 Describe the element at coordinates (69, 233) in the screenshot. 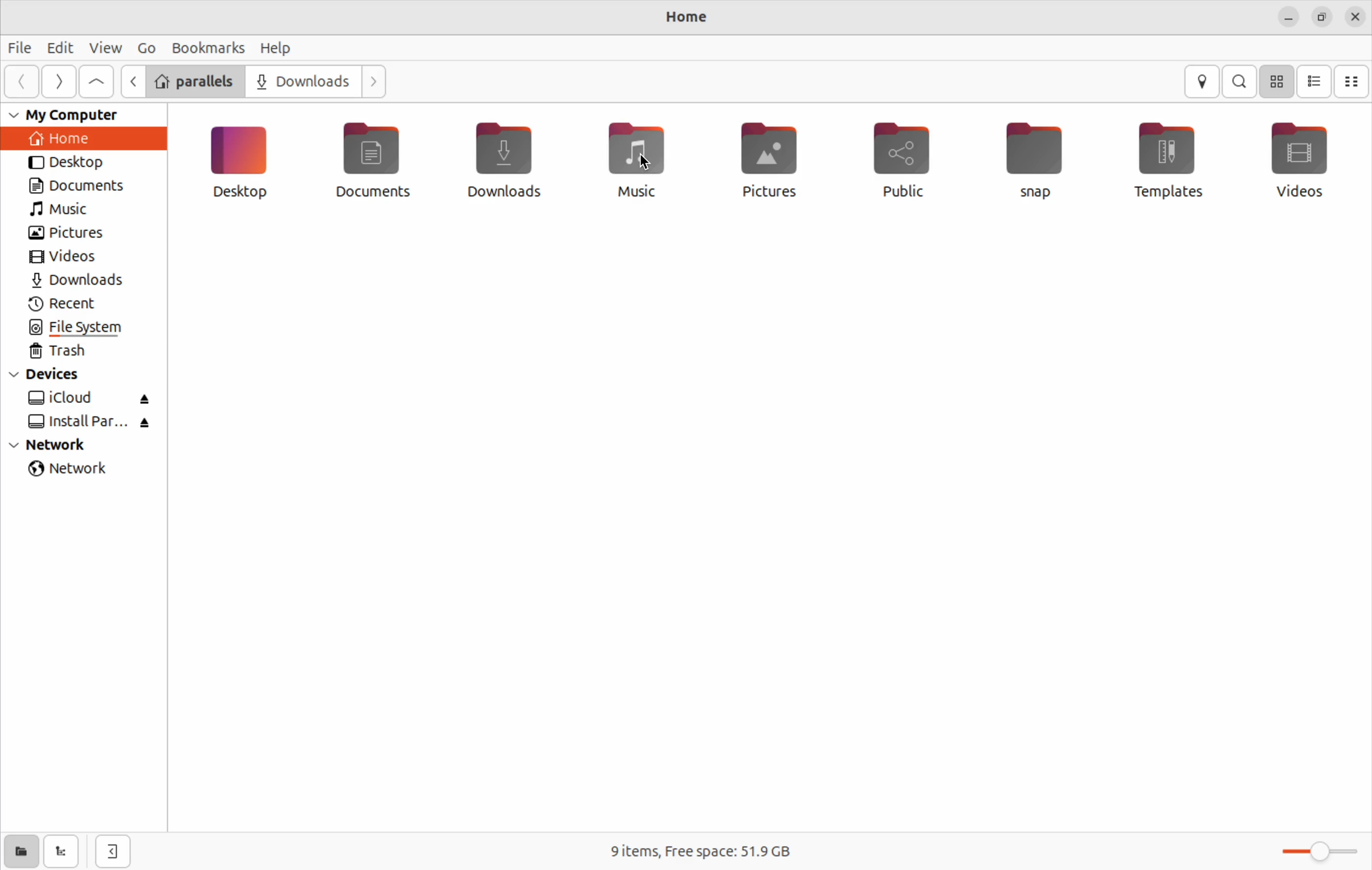

I see `pictures` at that location.